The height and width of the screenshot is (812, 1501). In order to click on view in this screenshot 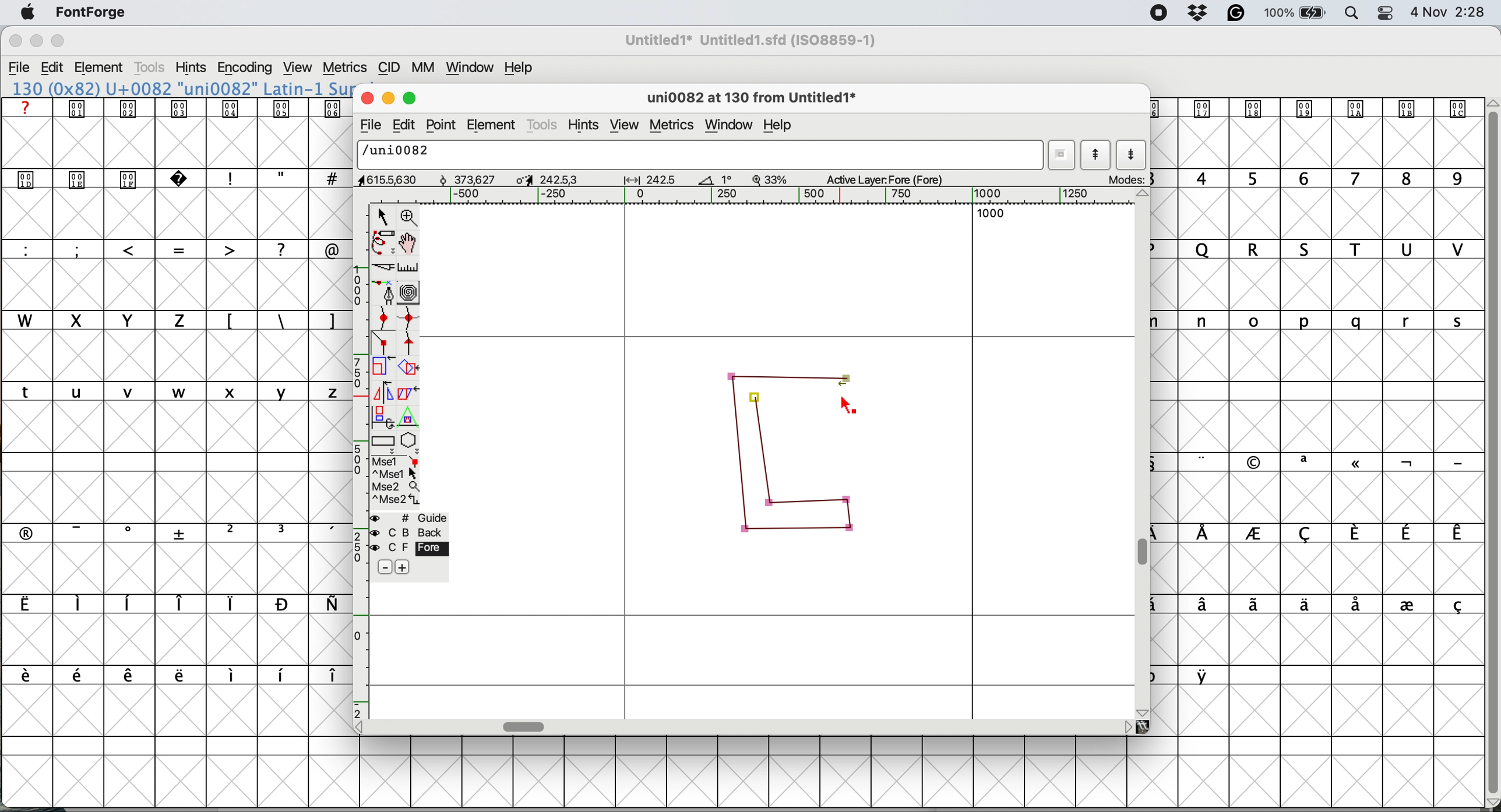, I will do `click(300, 68)`.